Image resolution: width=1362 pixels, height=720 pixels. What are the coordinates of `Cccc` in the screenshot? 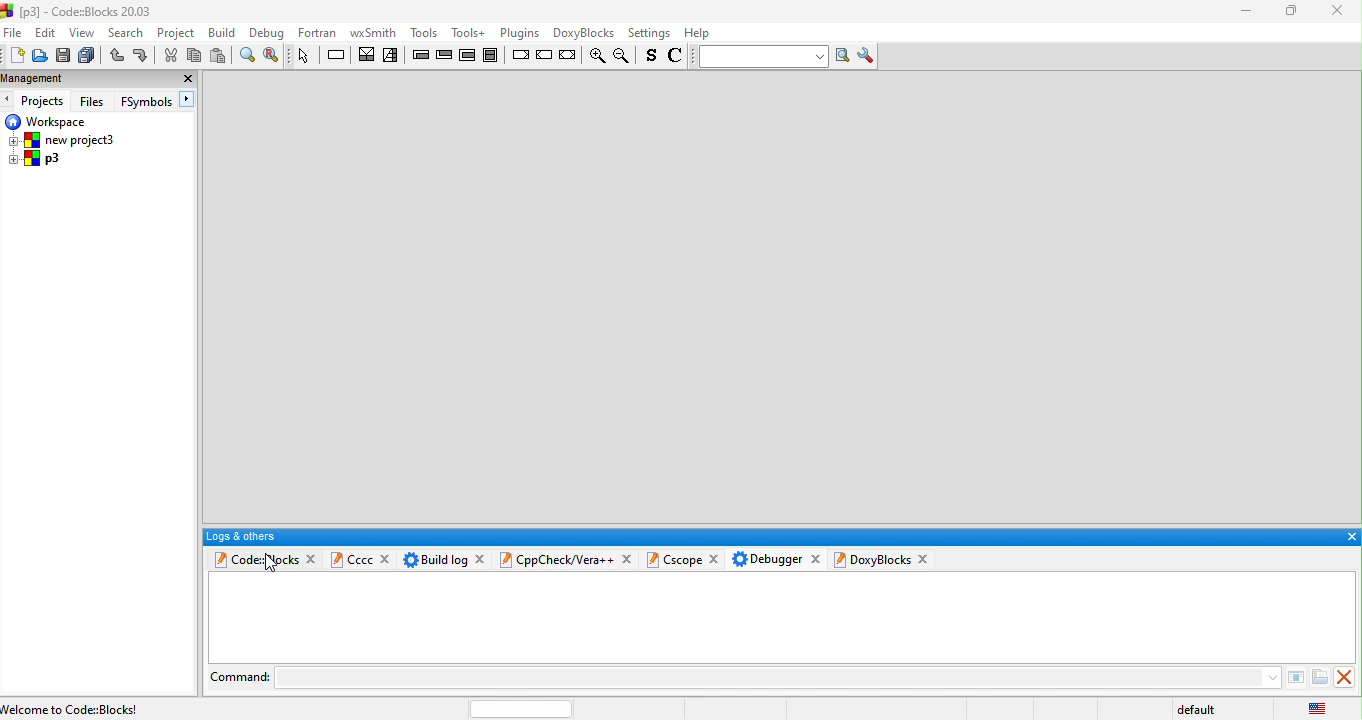 It's located at (351, 558).